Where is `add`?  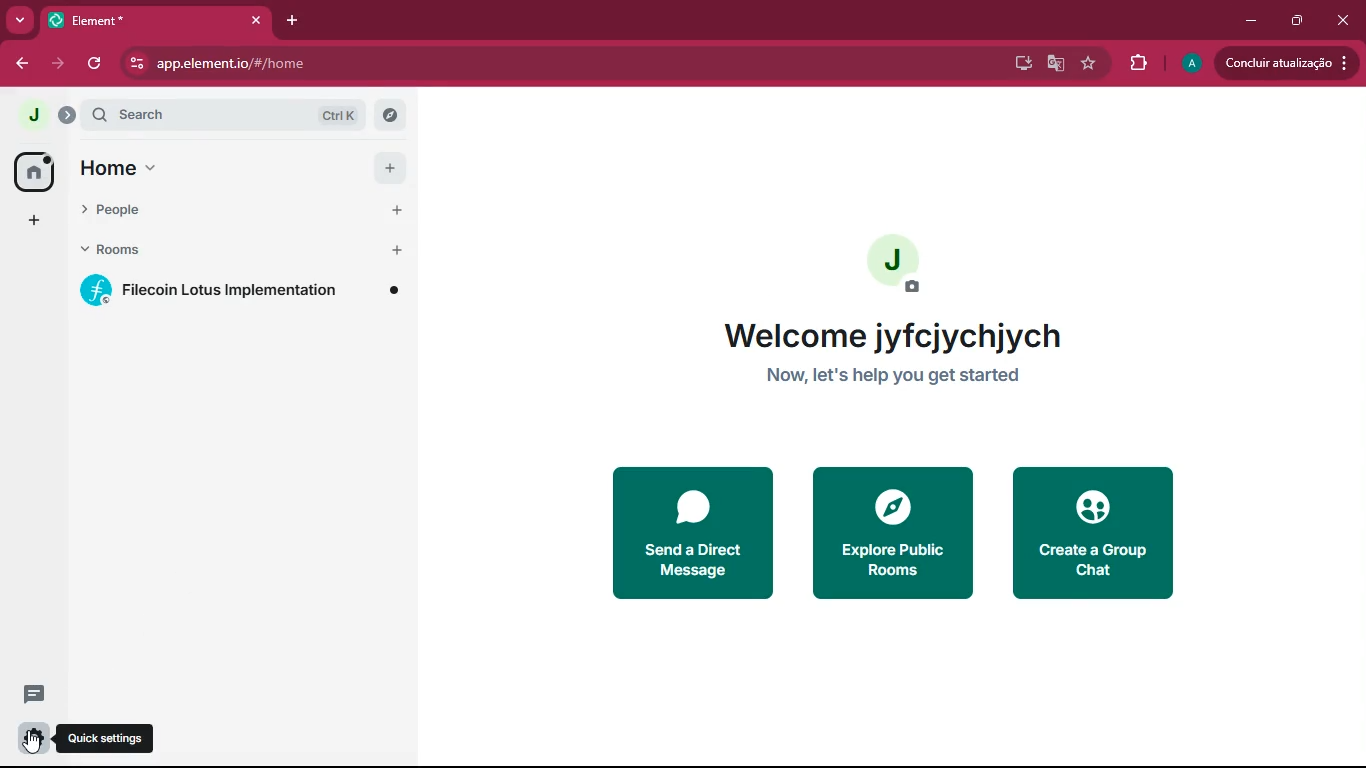
add is located at coordinates (392, 168).